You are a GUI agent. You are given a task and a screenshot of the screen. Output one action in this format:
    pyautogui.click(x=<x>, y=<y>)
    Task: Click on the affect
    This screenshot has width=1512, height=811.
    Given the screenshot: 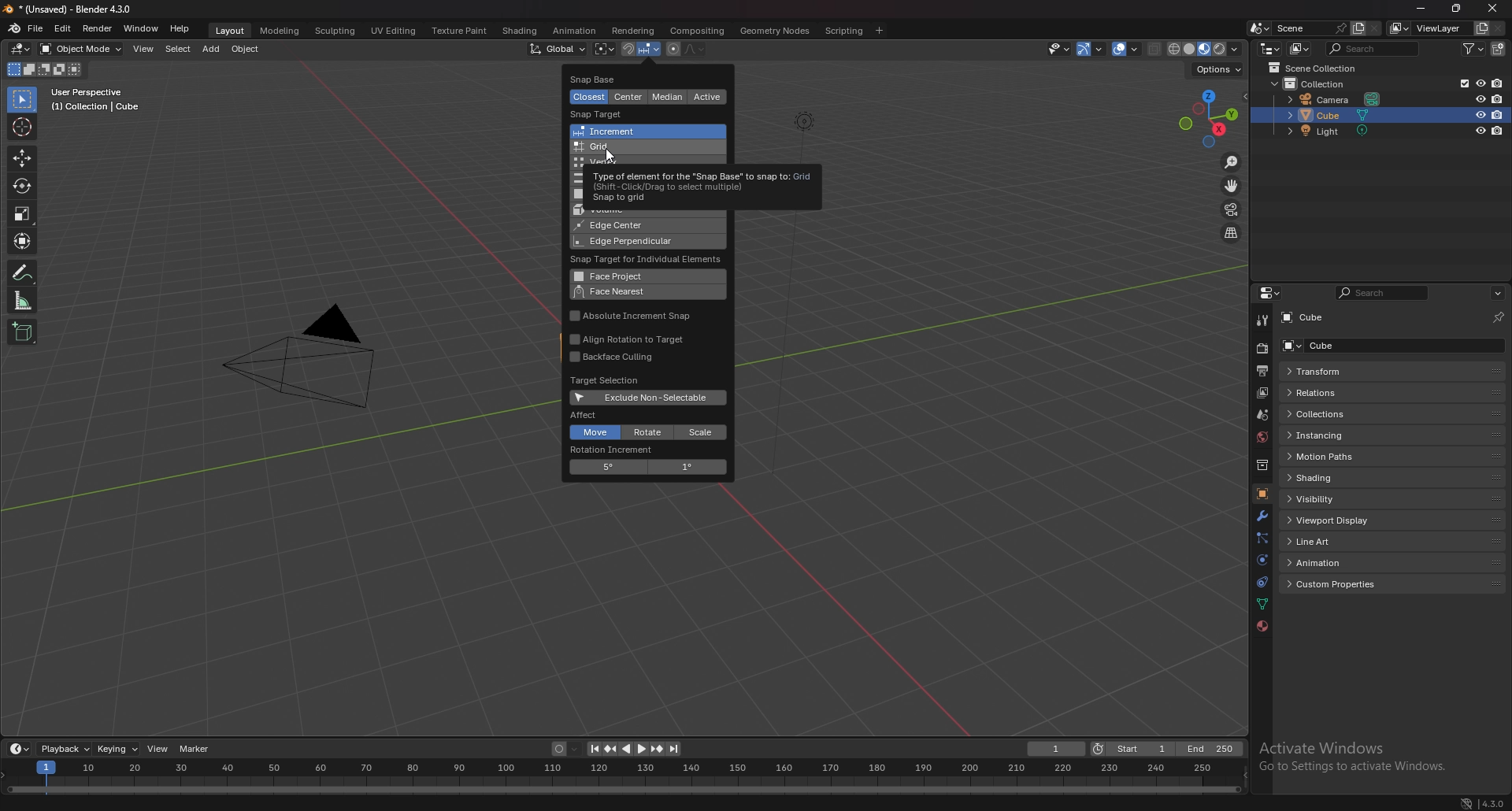 What is the action you would take?
    pyautogui.click(x=587, y=414)
    